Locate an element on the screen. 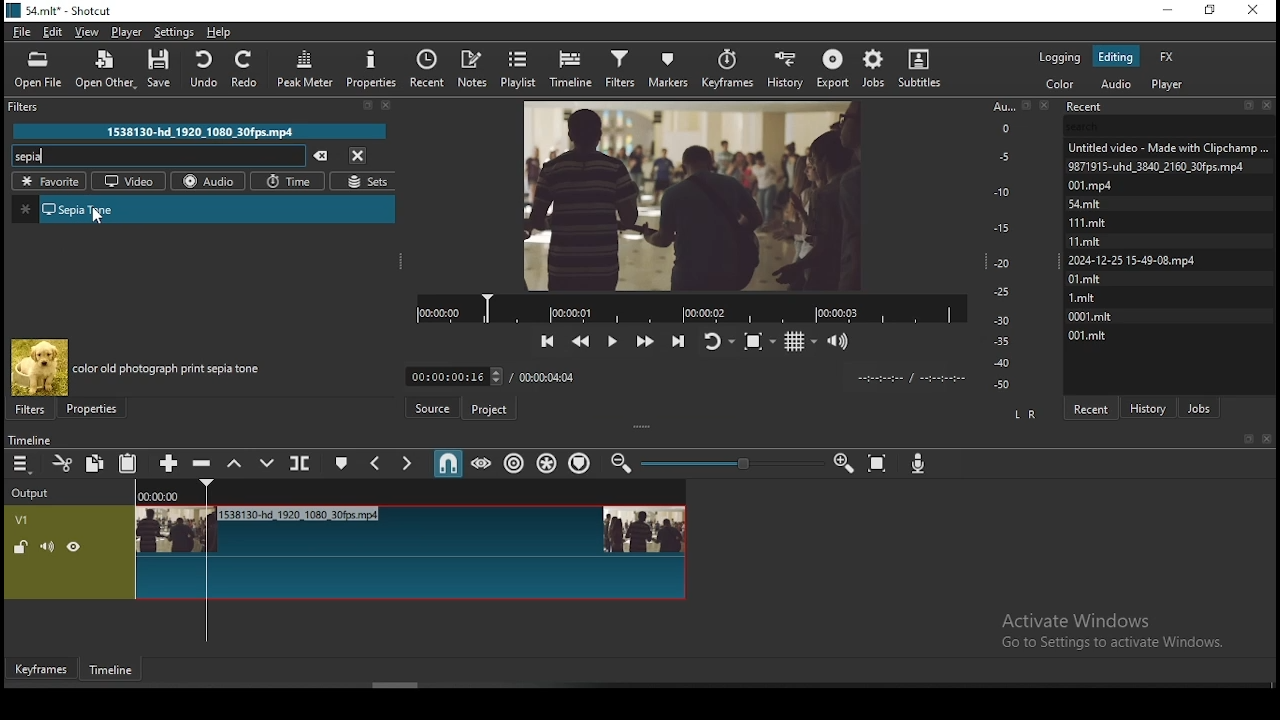 The height and width of the screenshot is (720, 1280). Recent is located at coordinates (1171, 104).